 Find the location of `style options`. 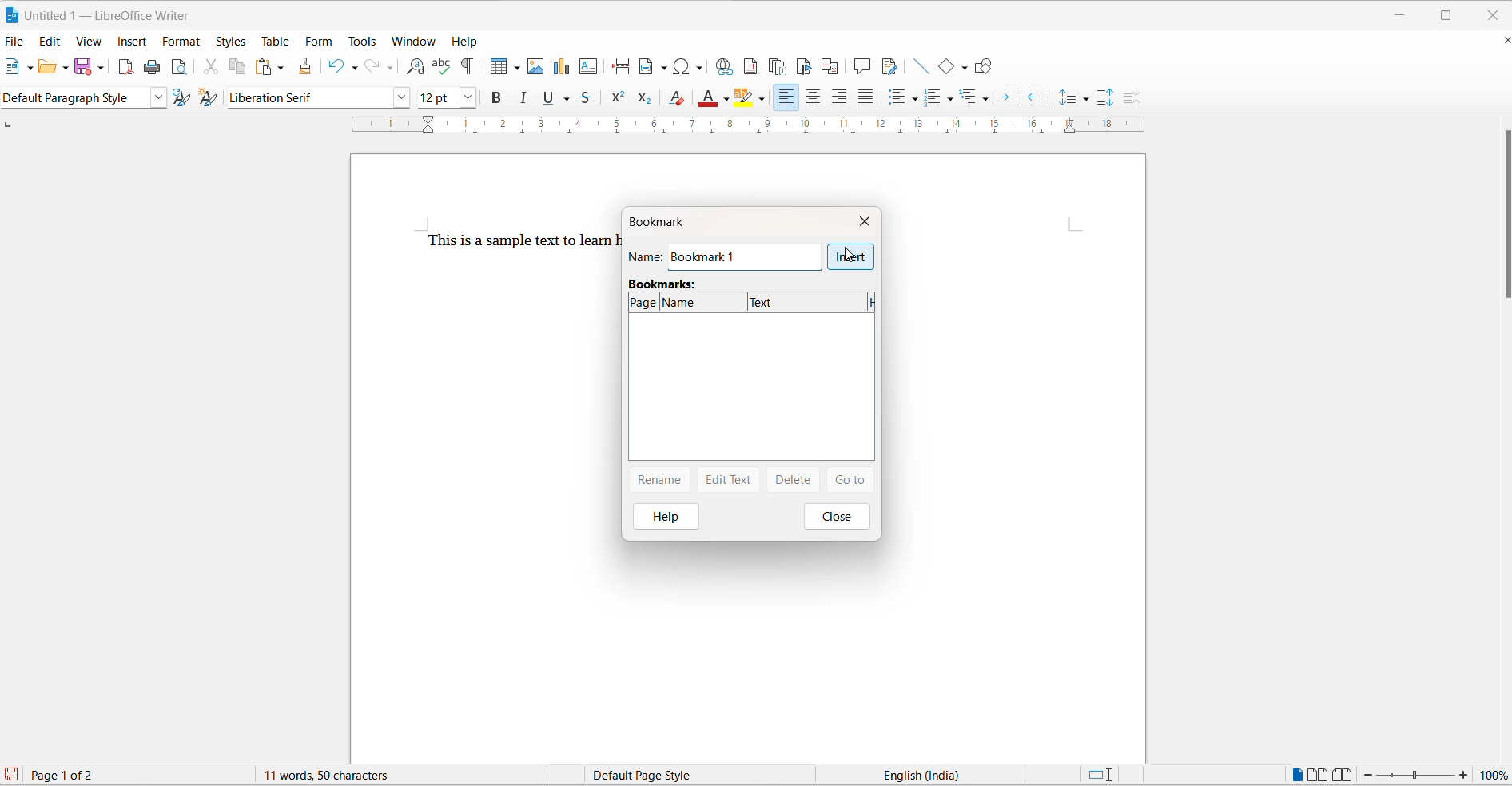

style options is located at coordinates (156, 98).